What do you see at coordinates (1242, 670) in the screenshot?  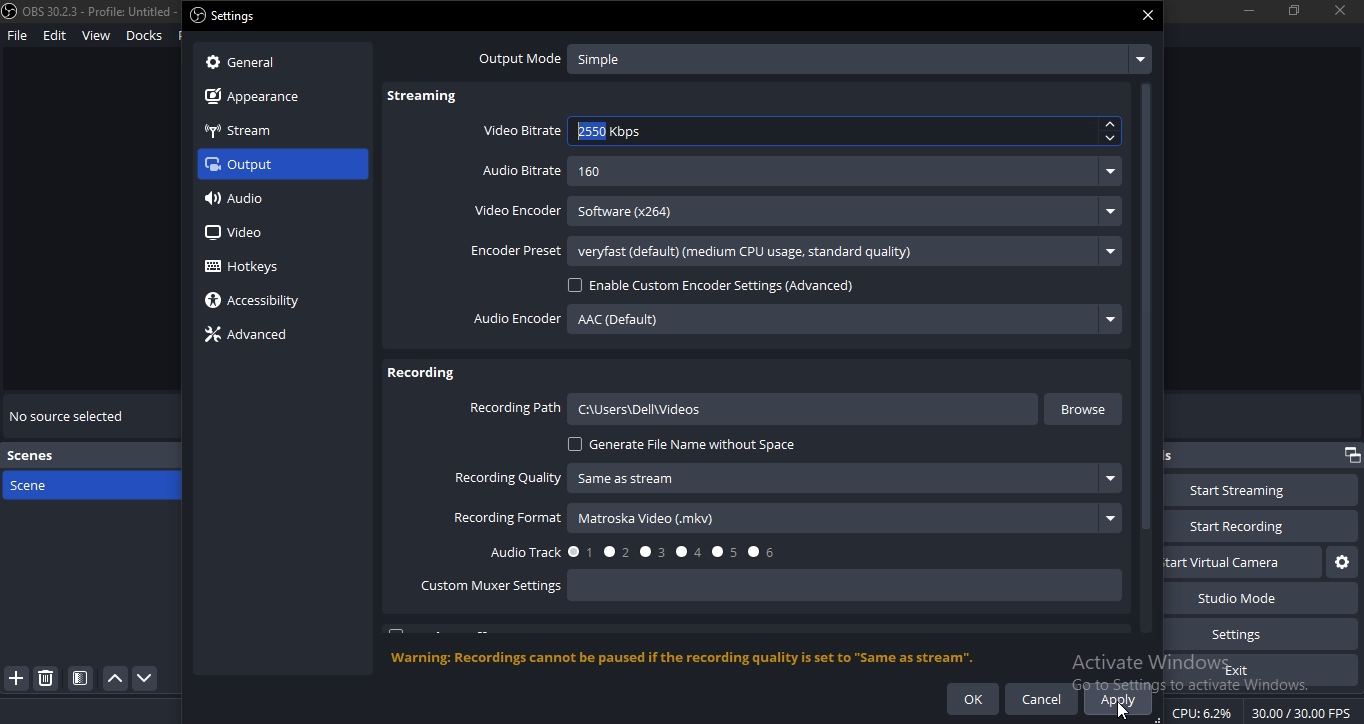 I see `exit` at bounding box center [1242, 670].